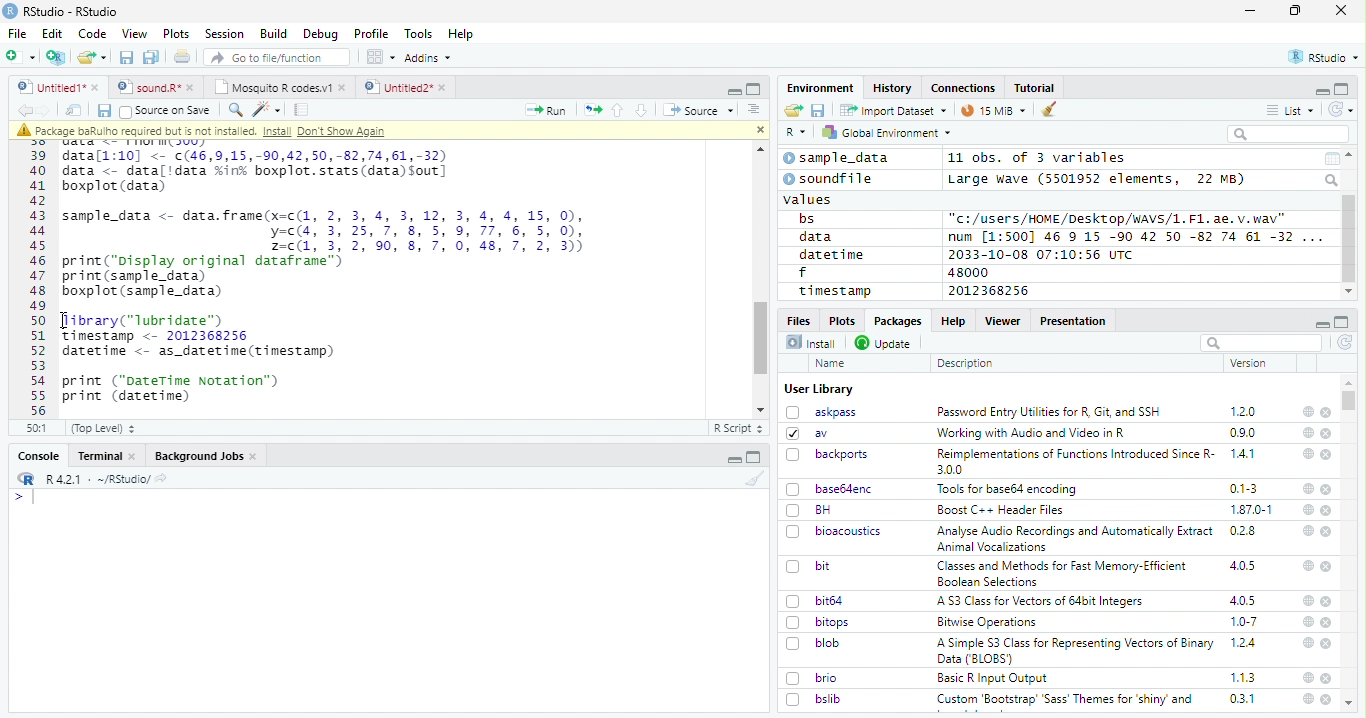 This screenshot has height=718, width=1366. I want to click on bit64, so click(815, 601).